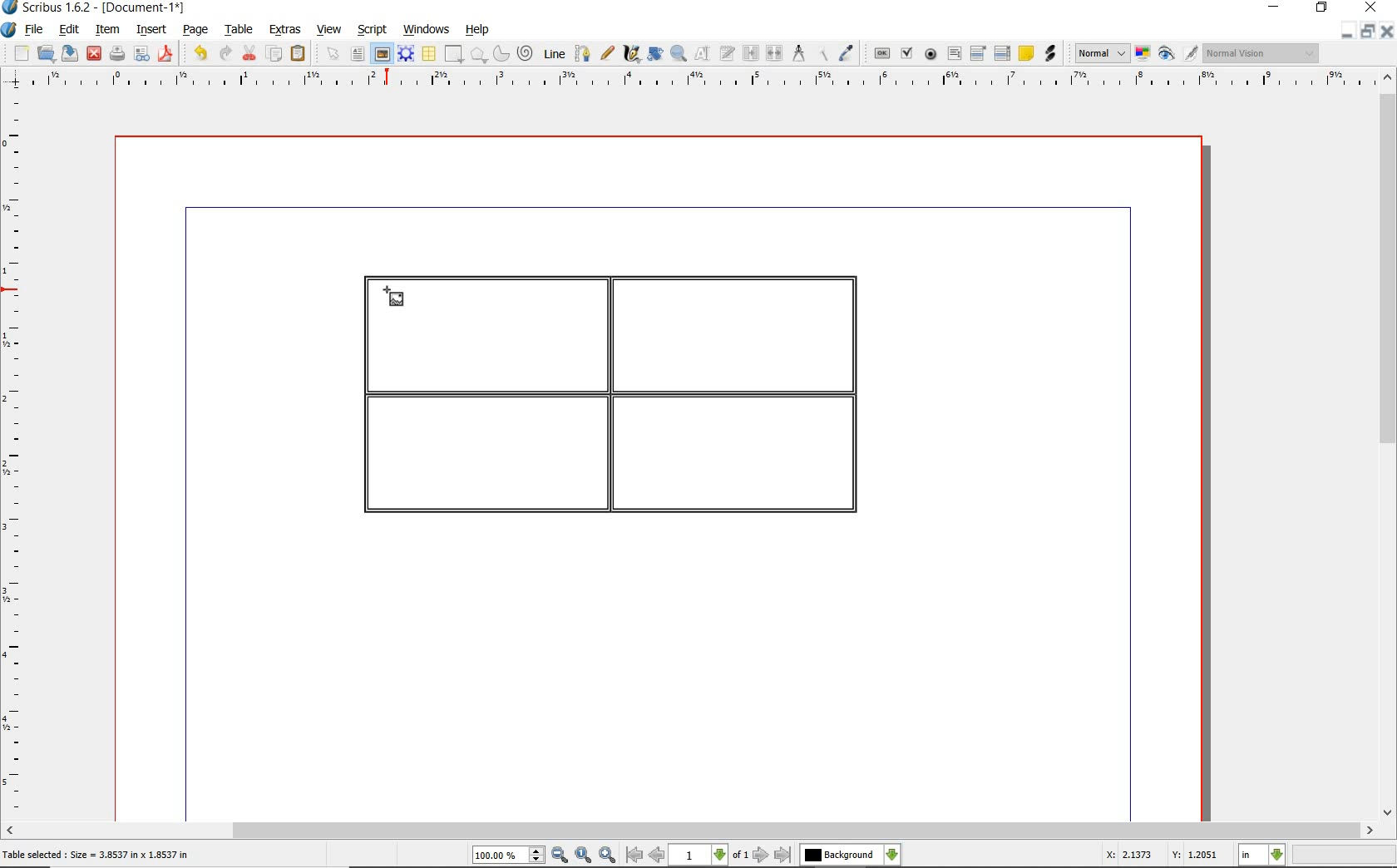  Describe the element at coordinates (225, 52) in the screenshot. I see `redo` at that location.